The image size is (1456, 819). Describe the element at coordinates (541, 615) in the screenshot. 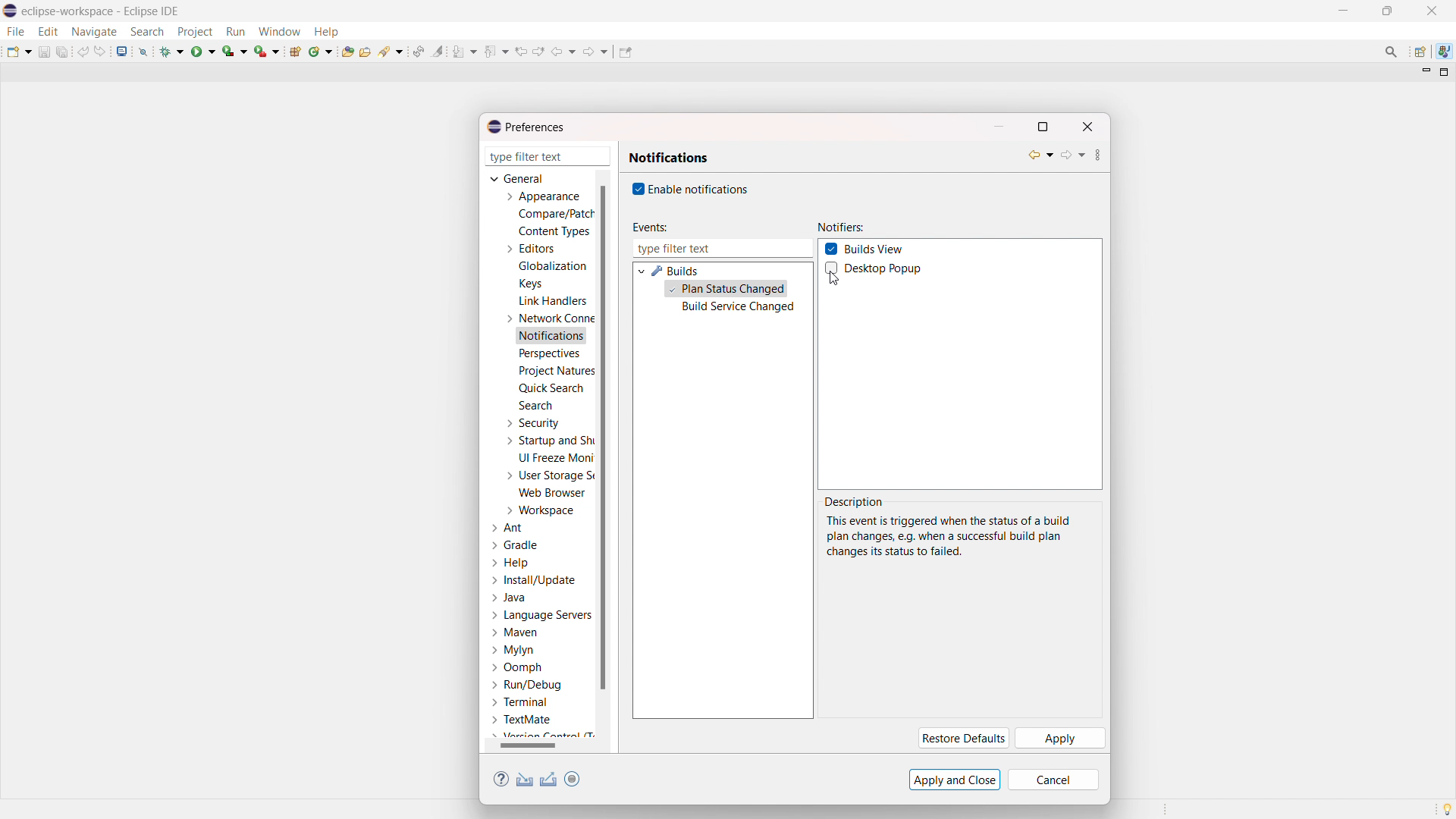

I see `language servers` at that location.